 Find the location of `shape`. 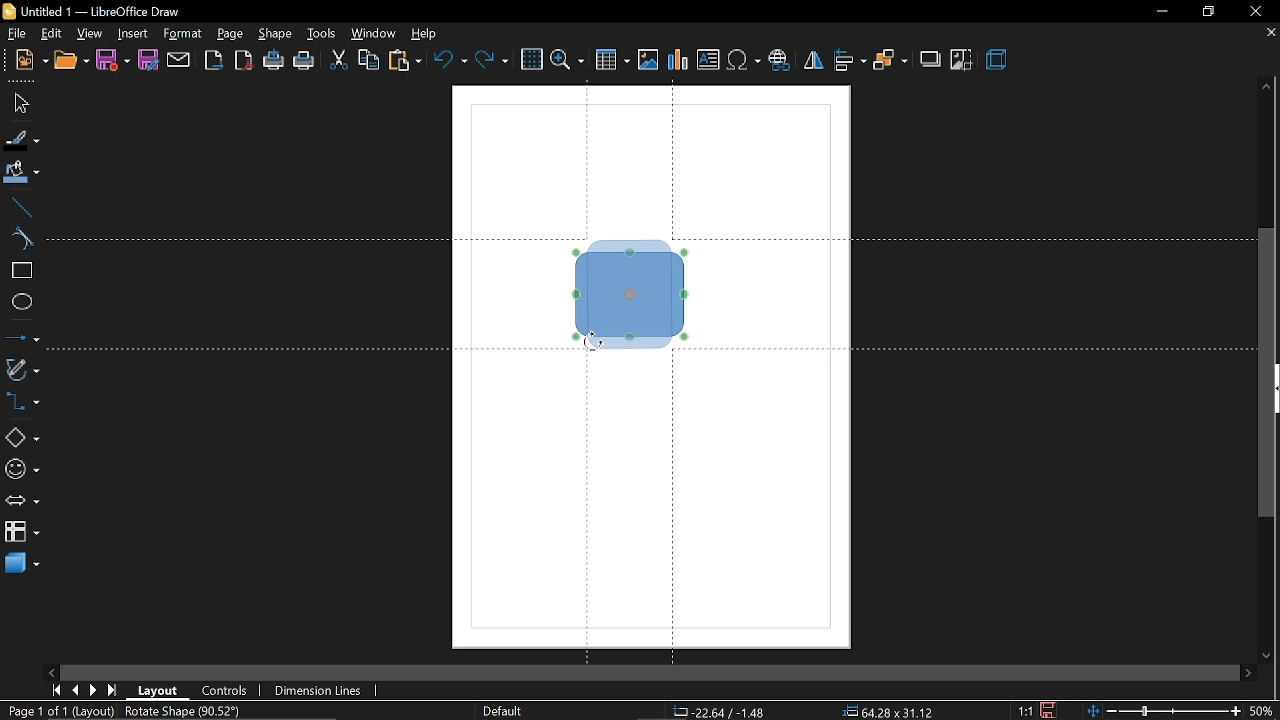

shape is located at coordinates (276, 33).